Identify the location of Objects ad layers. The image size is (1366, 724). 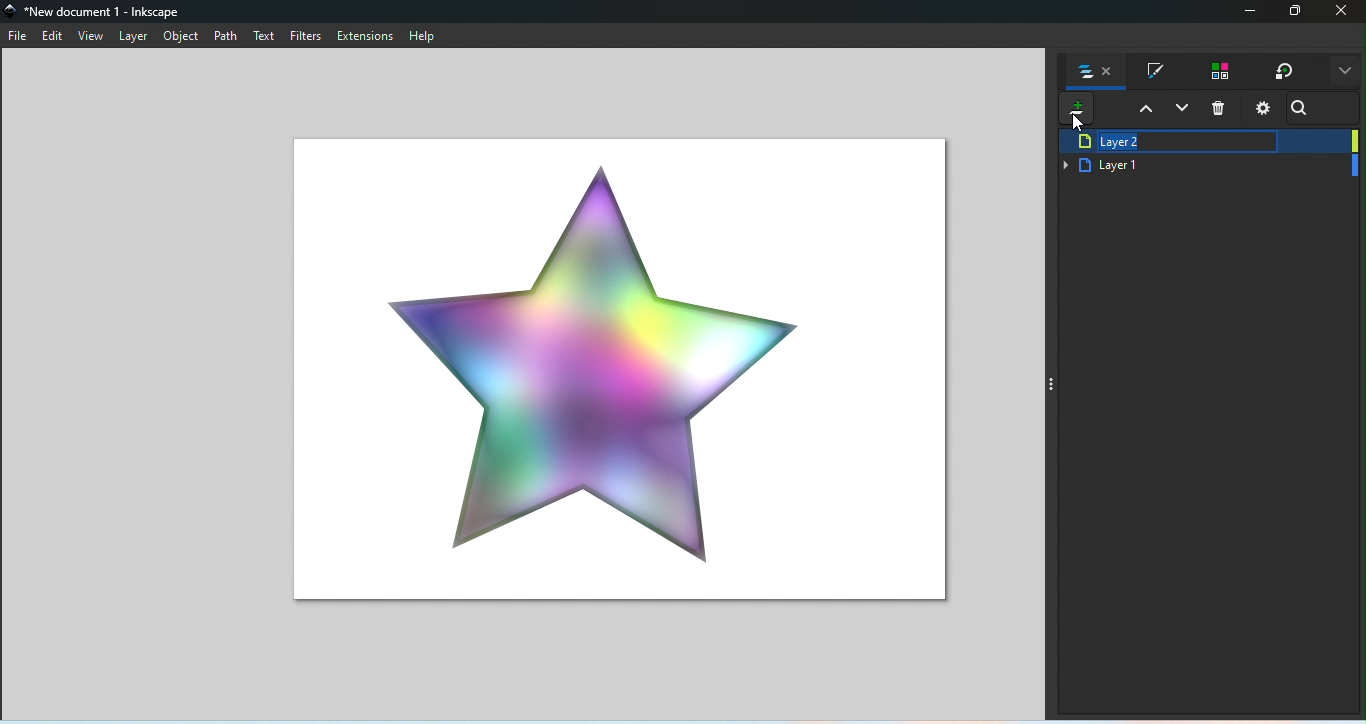
(1098, 74).